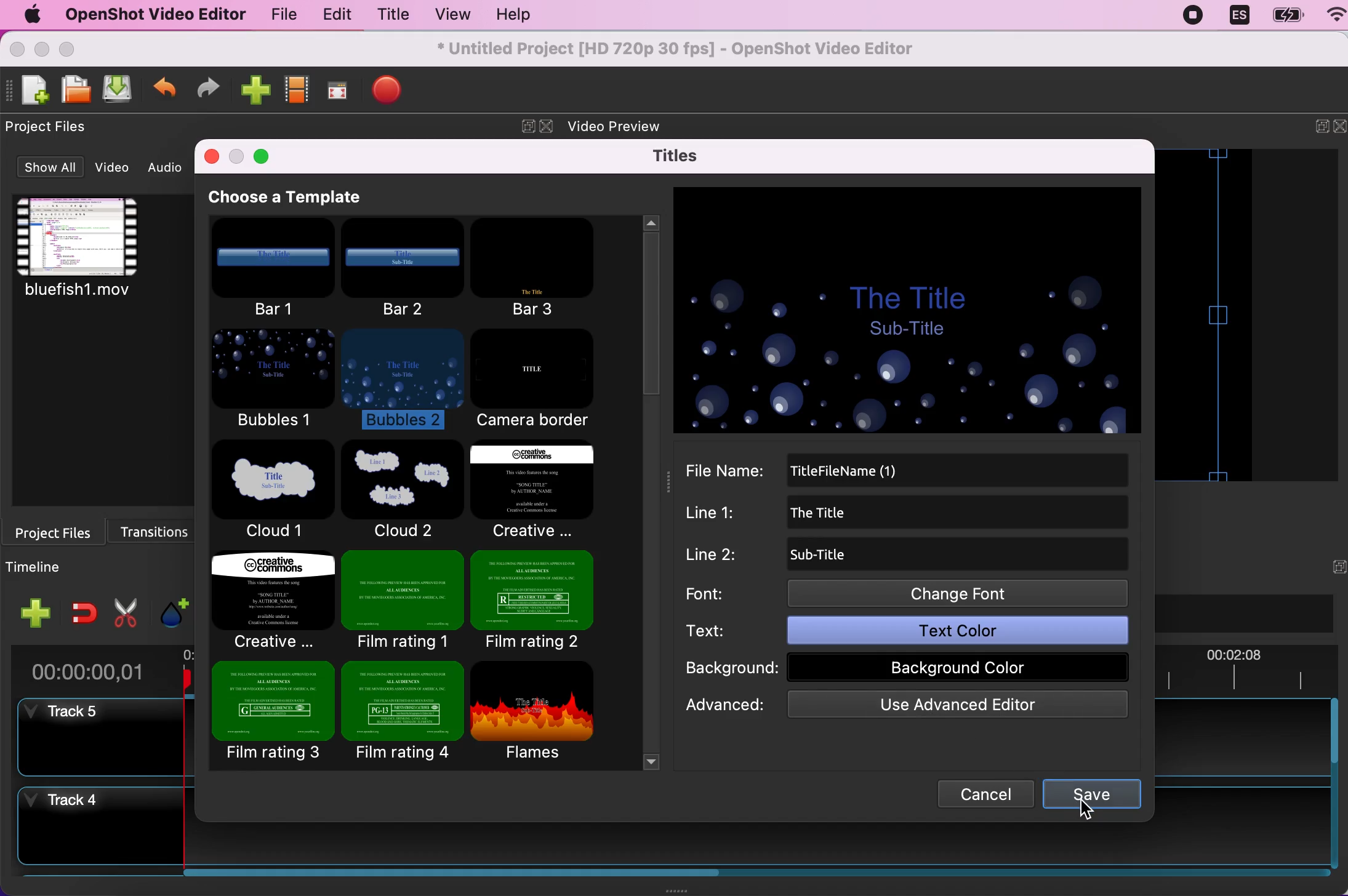  I want to click on show profile, so click(295, 94).